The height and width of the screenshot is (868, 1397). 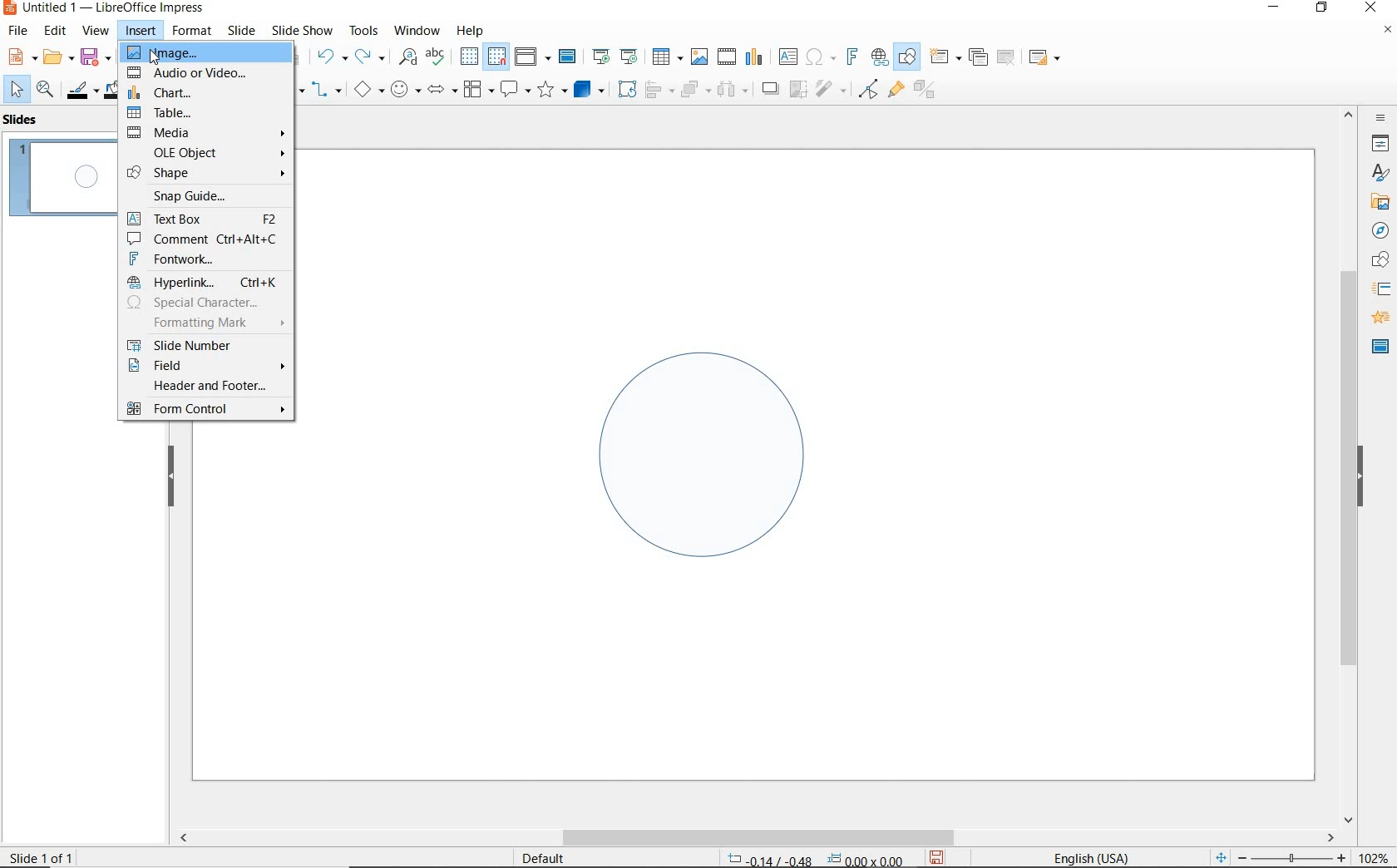 I want to click on spelling, so click(x=435, y=57).